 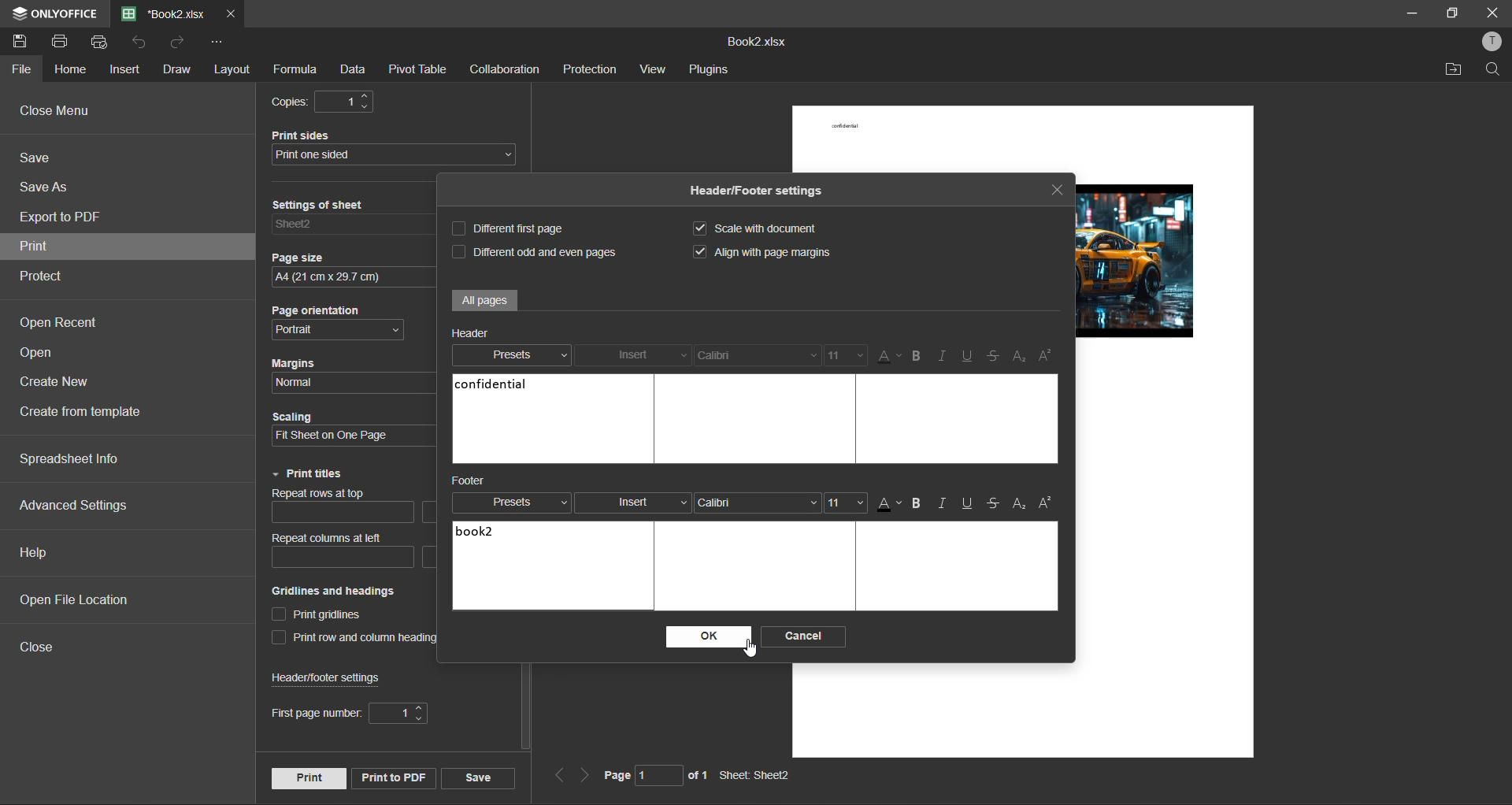 I want to click on subscript, so click(x=1021, y=504).